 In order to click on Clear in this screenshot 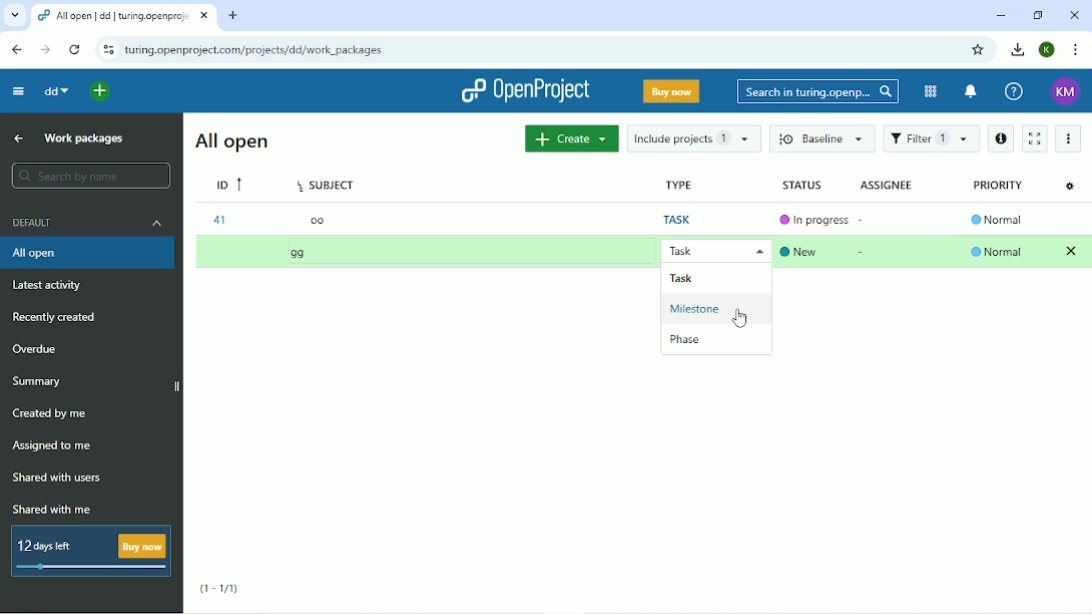, I will do `click(1072, 250)`.